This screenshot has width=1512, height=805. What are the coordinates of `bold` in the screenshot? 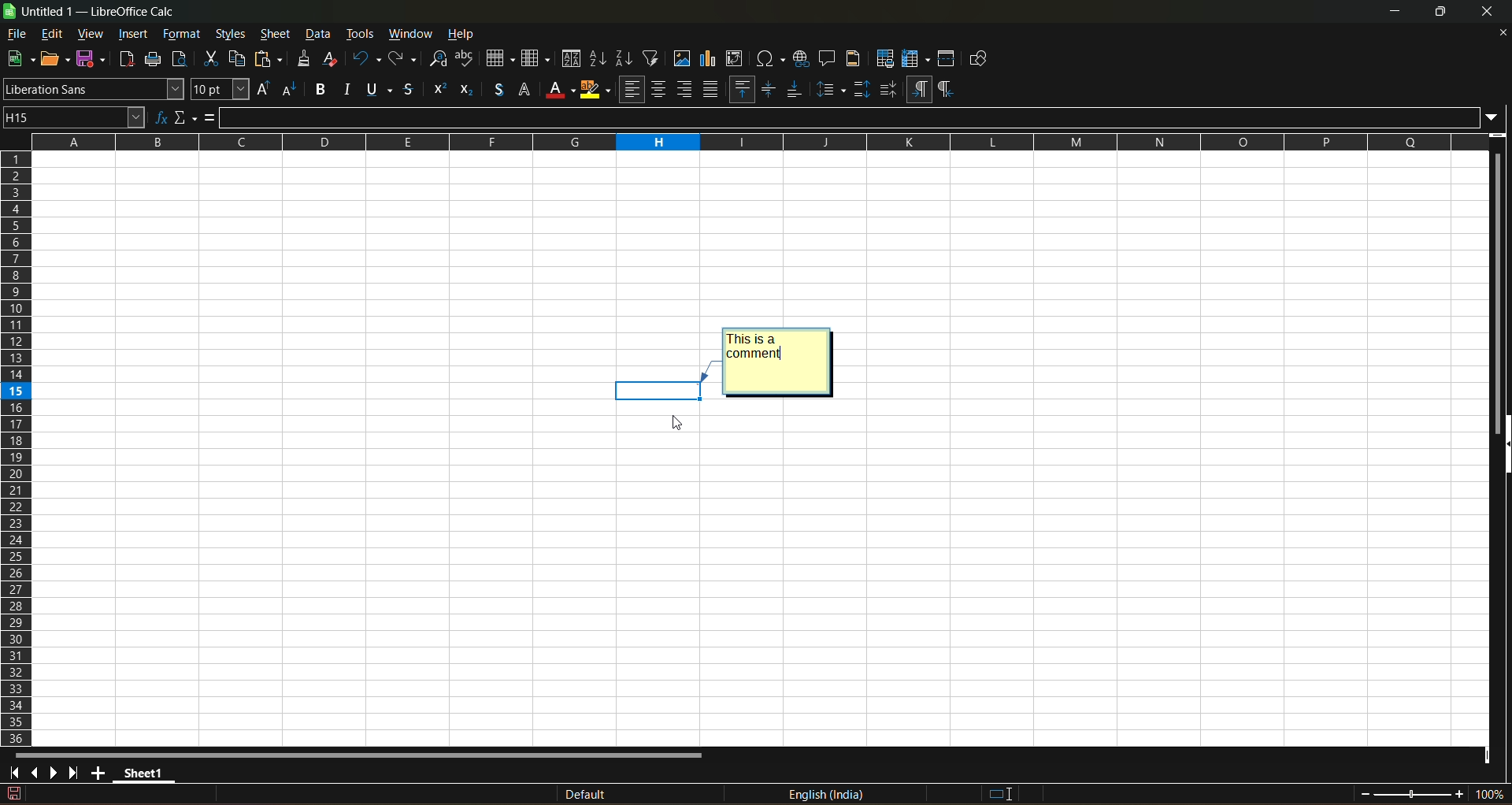 It's located at (269, 91).